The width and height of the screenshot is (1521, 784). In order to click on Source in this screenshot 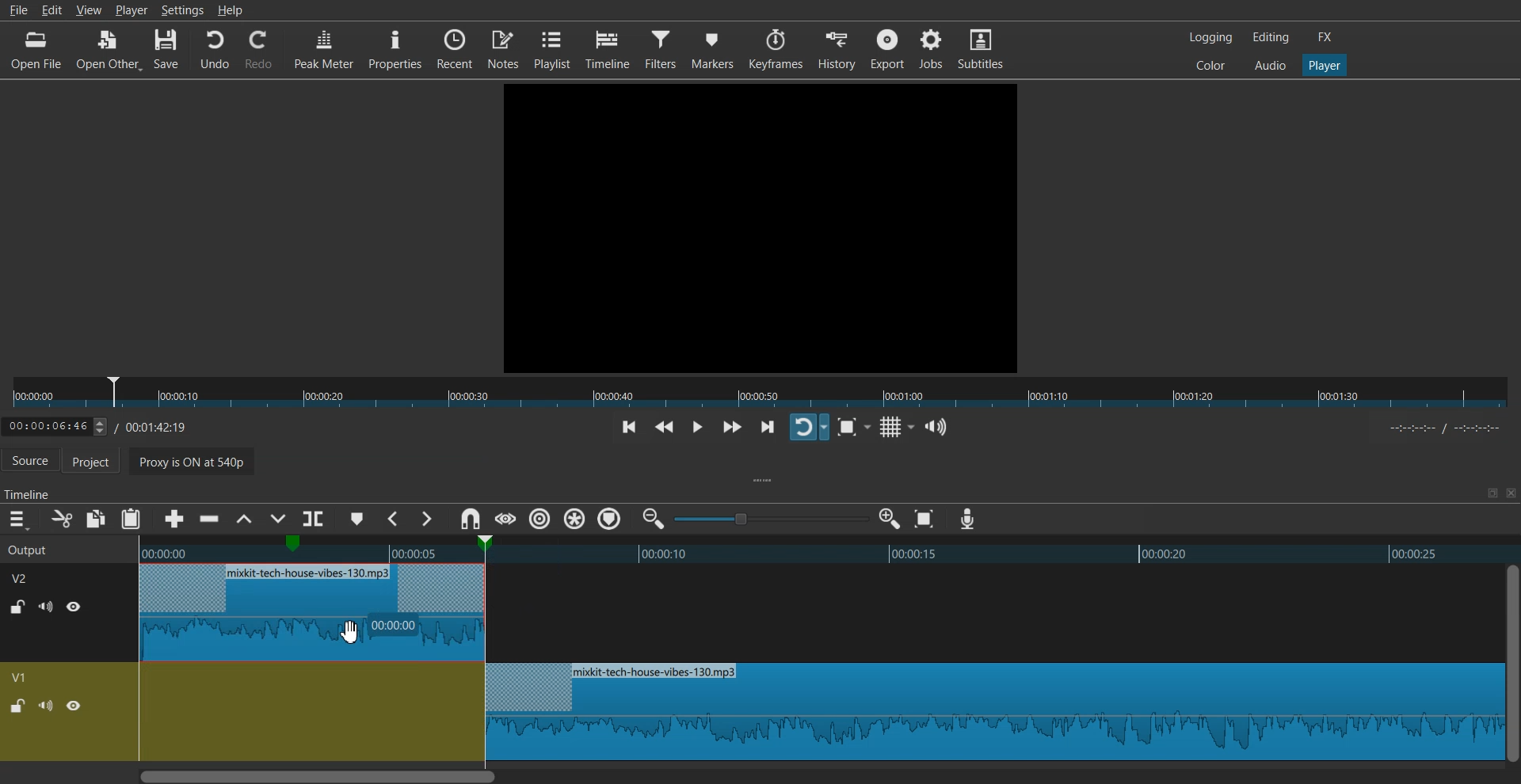, I will do `click(30, 462)`.